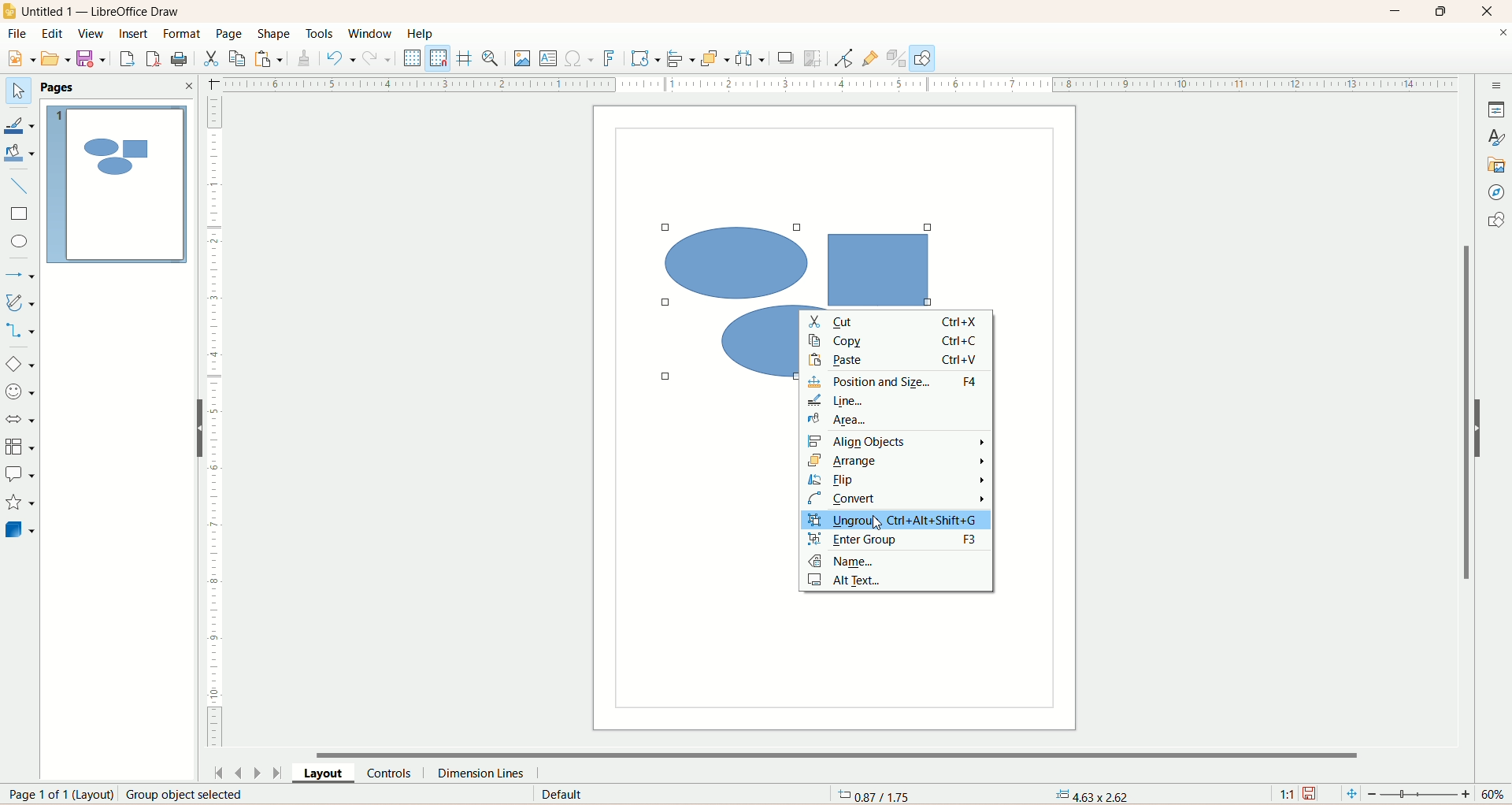 This screenshot has width=1512, height=805. Describe the element at coordinates (19, 331) in the screenshot. I see `connector` at that location.